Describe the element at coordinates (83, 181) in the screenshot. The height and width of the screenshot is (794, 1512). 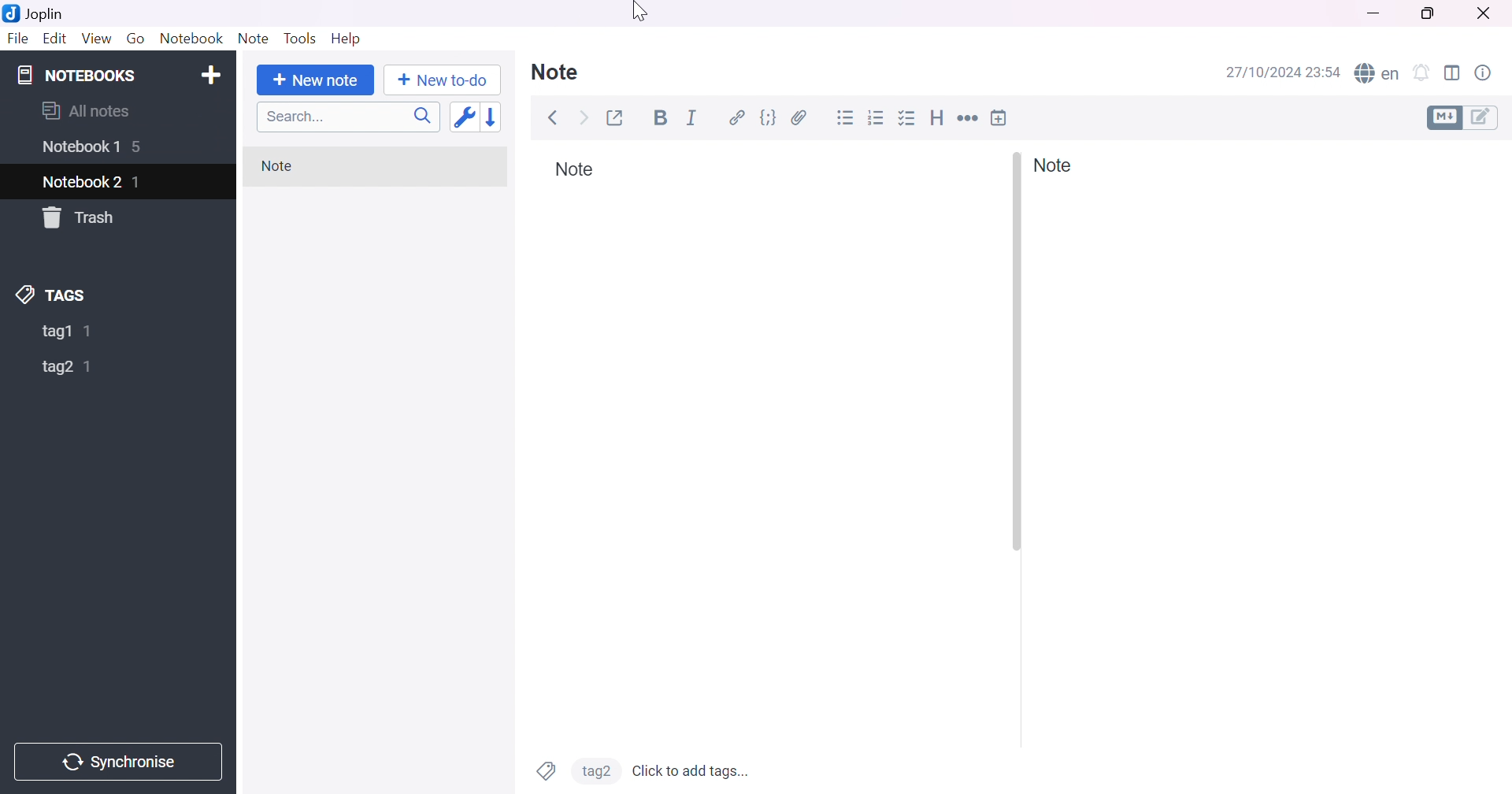
I see `Notebook2` at that location.